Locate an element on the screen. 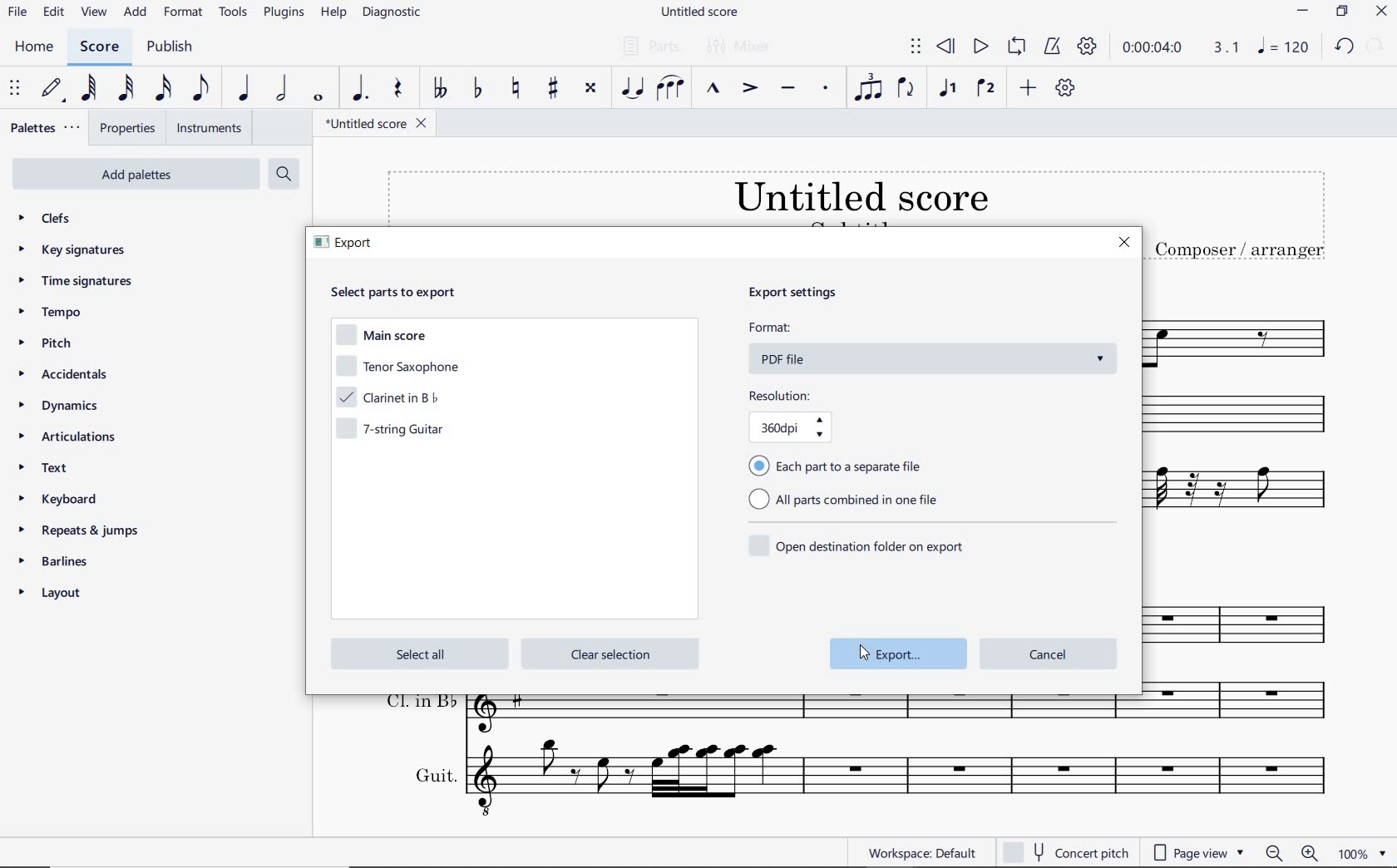 The width and height of the screenshot is (1397, 868). MARCATO is located at coordinates (713, 89).